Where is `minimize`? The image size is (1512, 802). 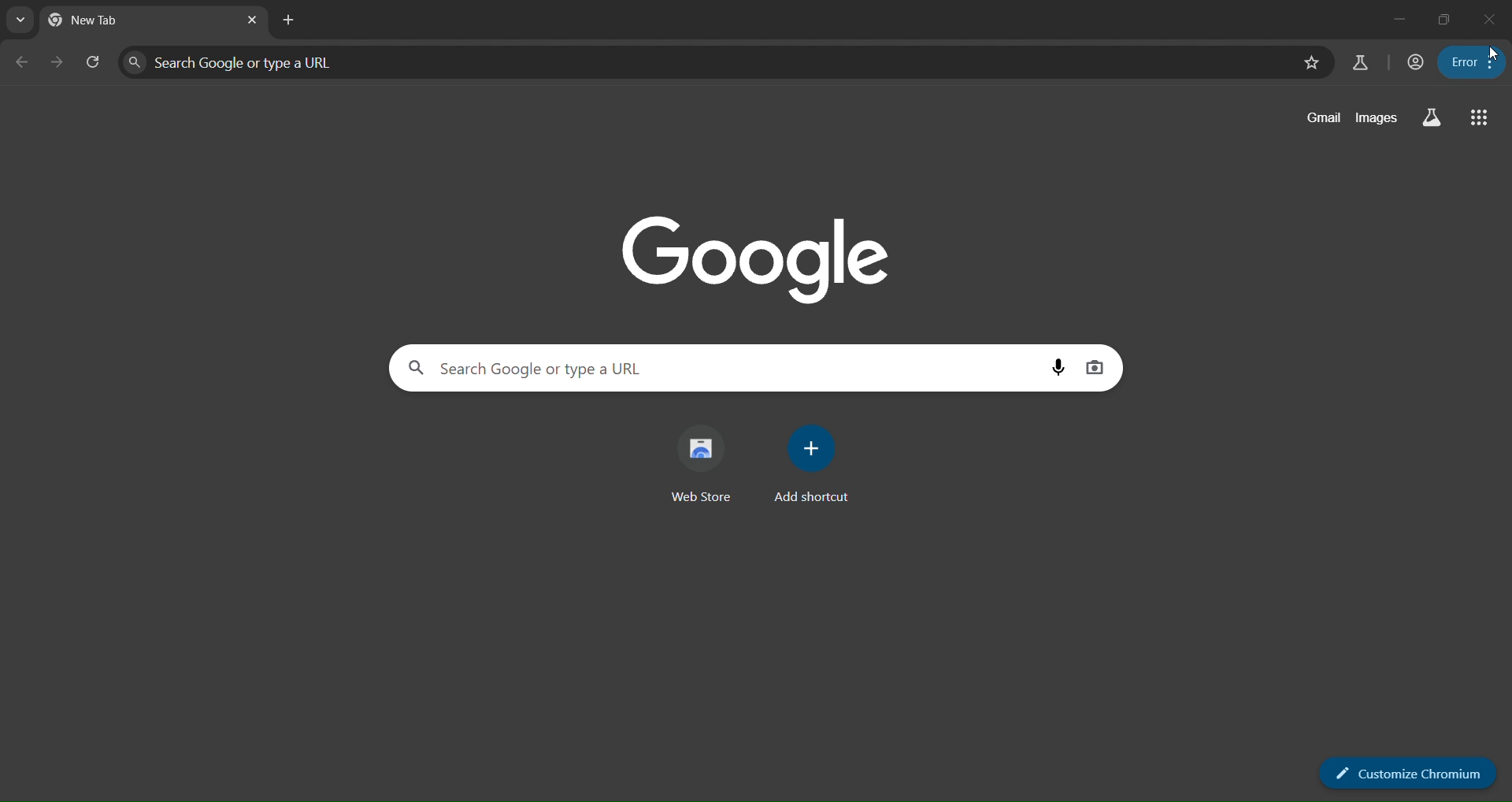 minimize is located at coordinates (1398, 17).